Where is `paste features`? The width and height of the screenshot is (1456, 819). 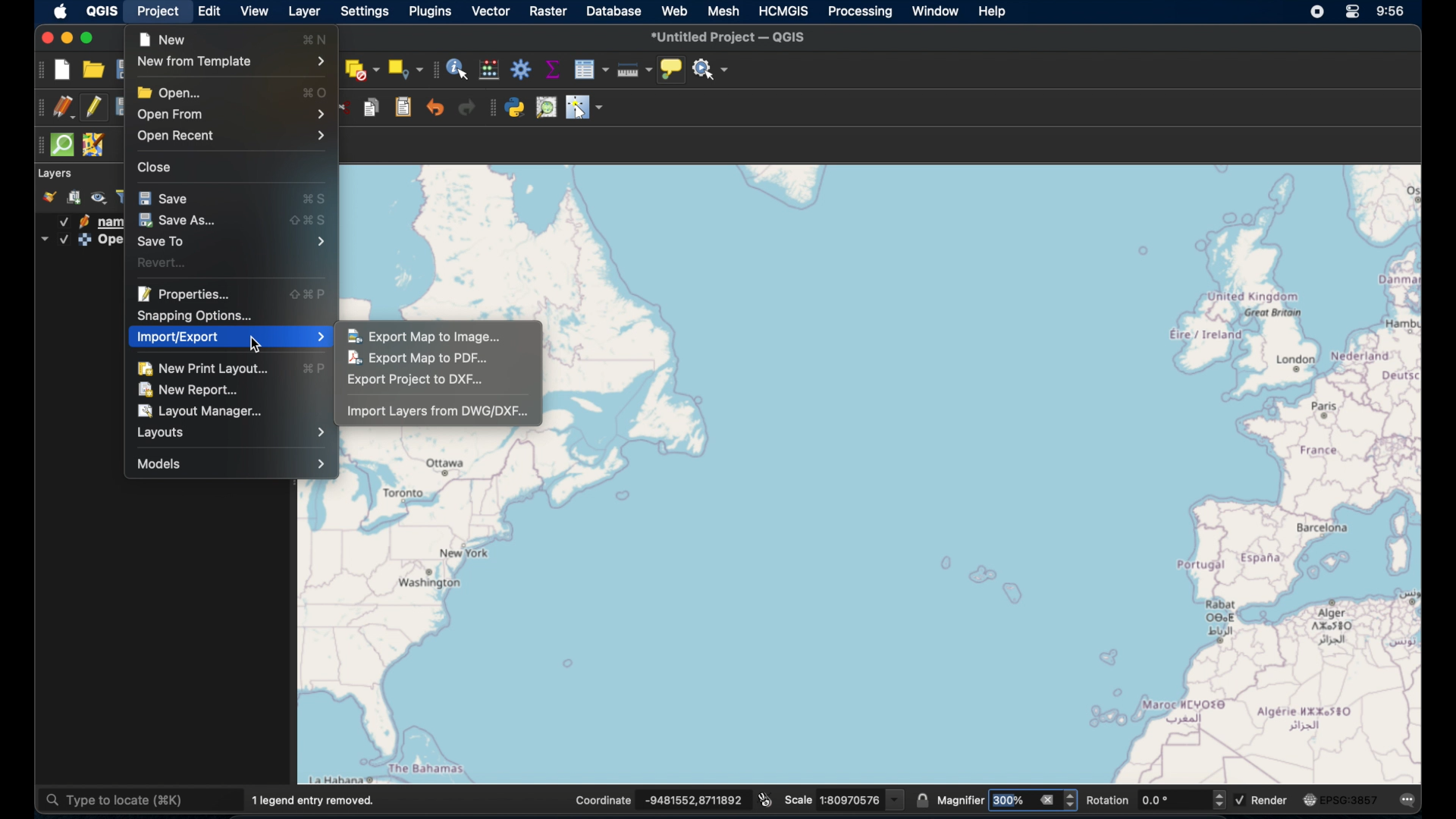
paste features is located at coordinates (404, 108).